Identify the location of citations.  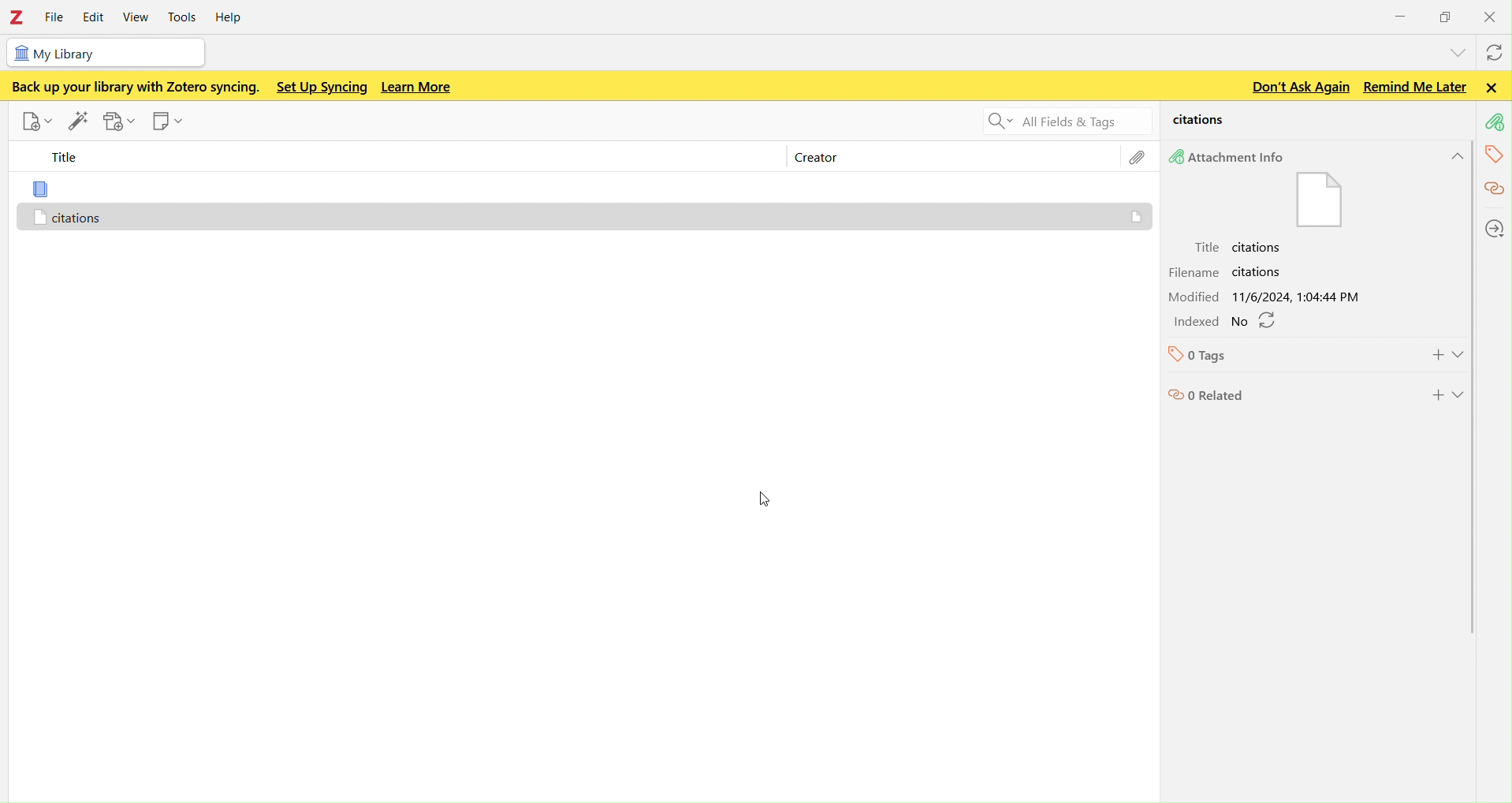
(1217, 120).